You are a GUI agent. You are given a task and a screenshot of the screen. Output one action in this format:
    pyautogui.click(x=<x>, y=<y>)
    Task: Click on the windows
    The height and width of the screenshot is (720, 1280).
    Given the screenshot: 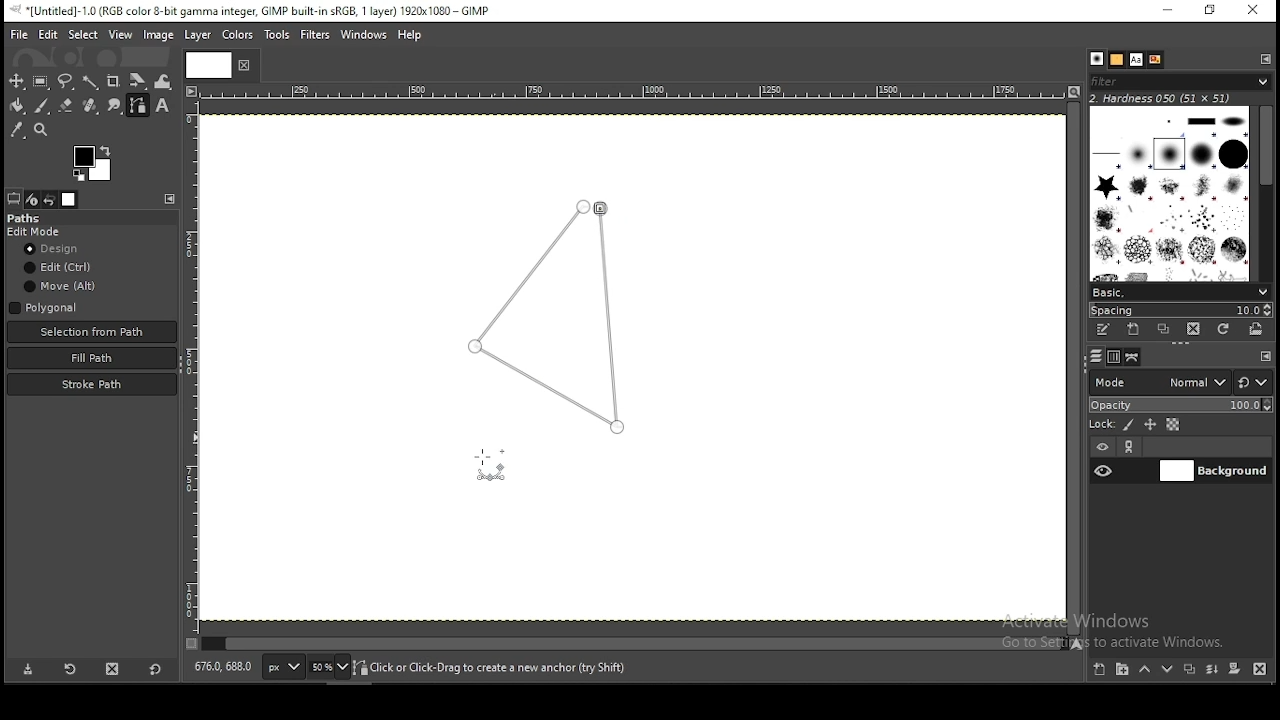 What is the action you would take?
    pyautogui.click(x=363, y=33)
    